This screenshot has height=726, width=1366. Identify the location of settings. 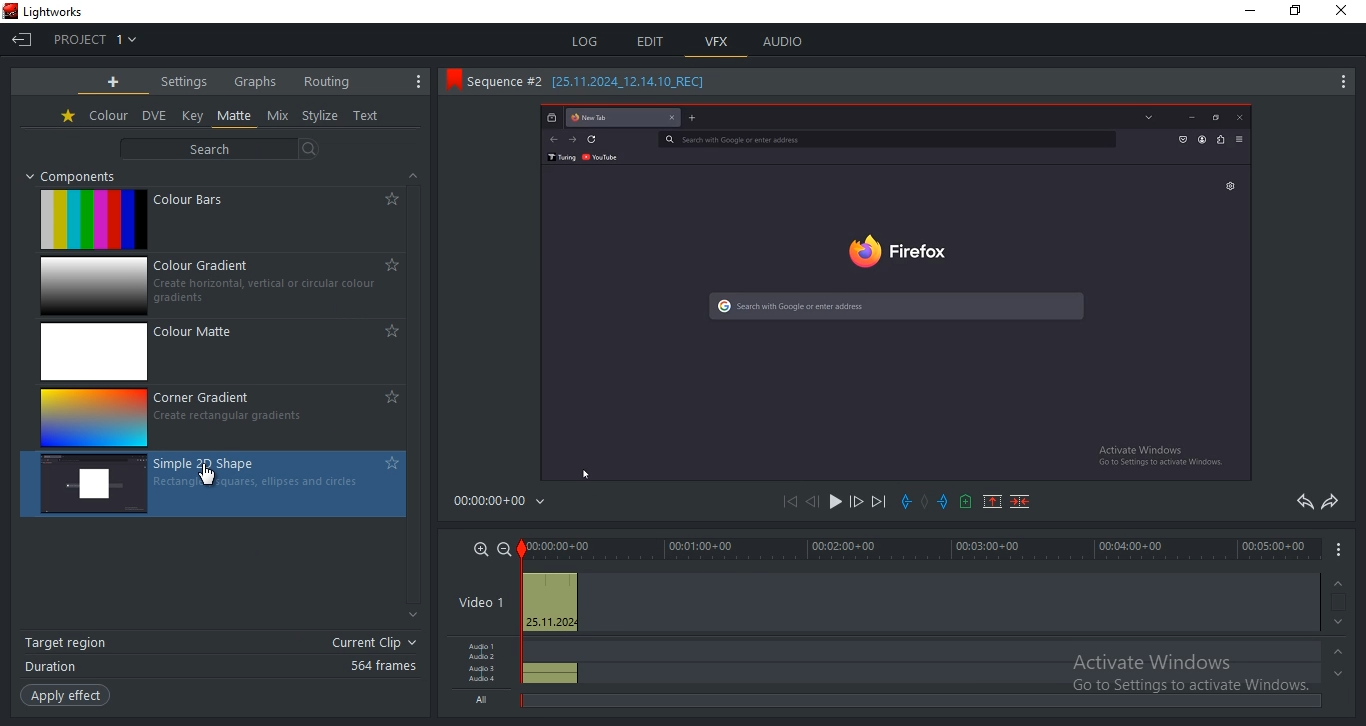
(184, 81).